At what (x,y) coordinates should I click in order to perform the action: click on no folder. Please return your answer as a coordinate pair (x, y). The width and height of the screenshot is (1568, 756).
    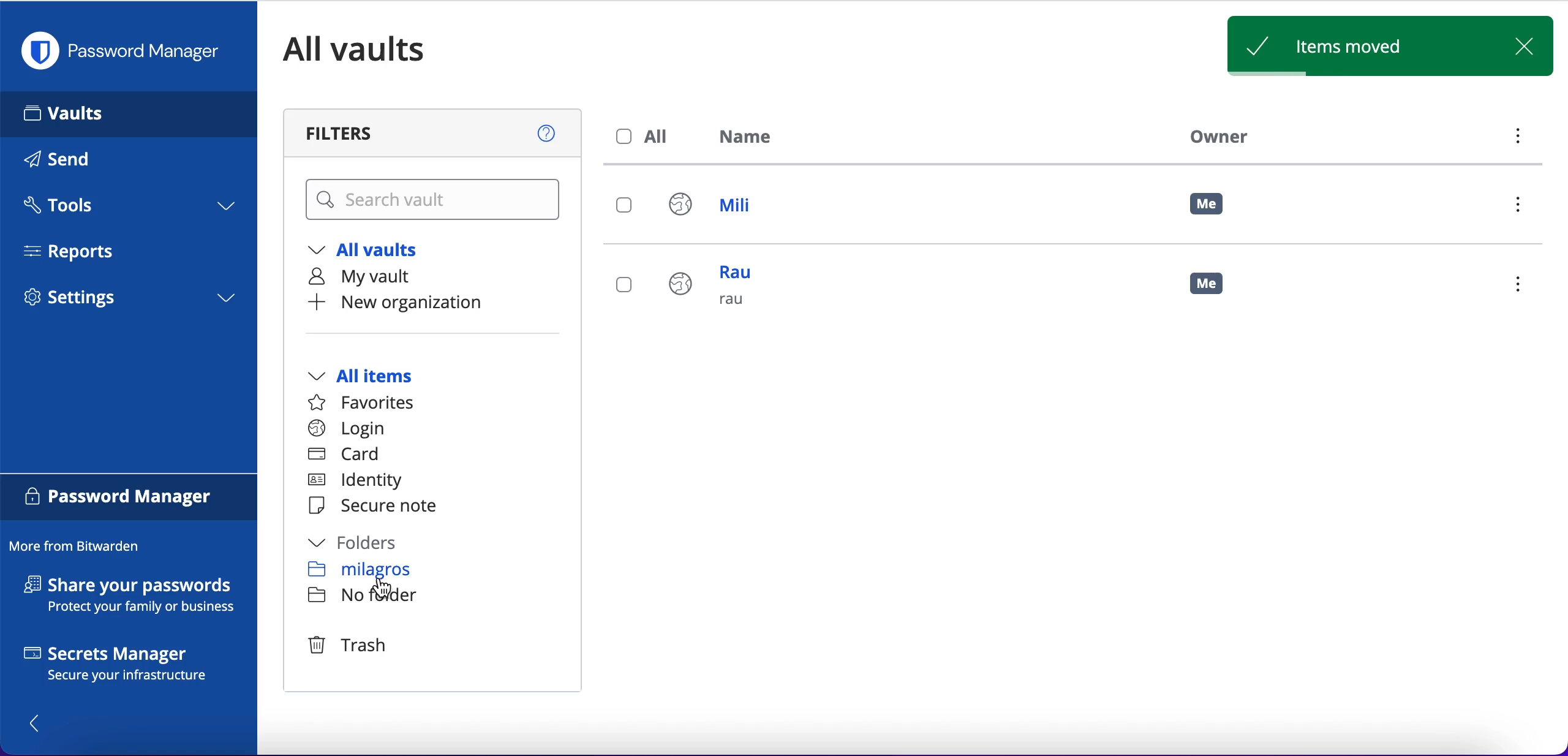
    Looking at the image, I should click on (362, 597).